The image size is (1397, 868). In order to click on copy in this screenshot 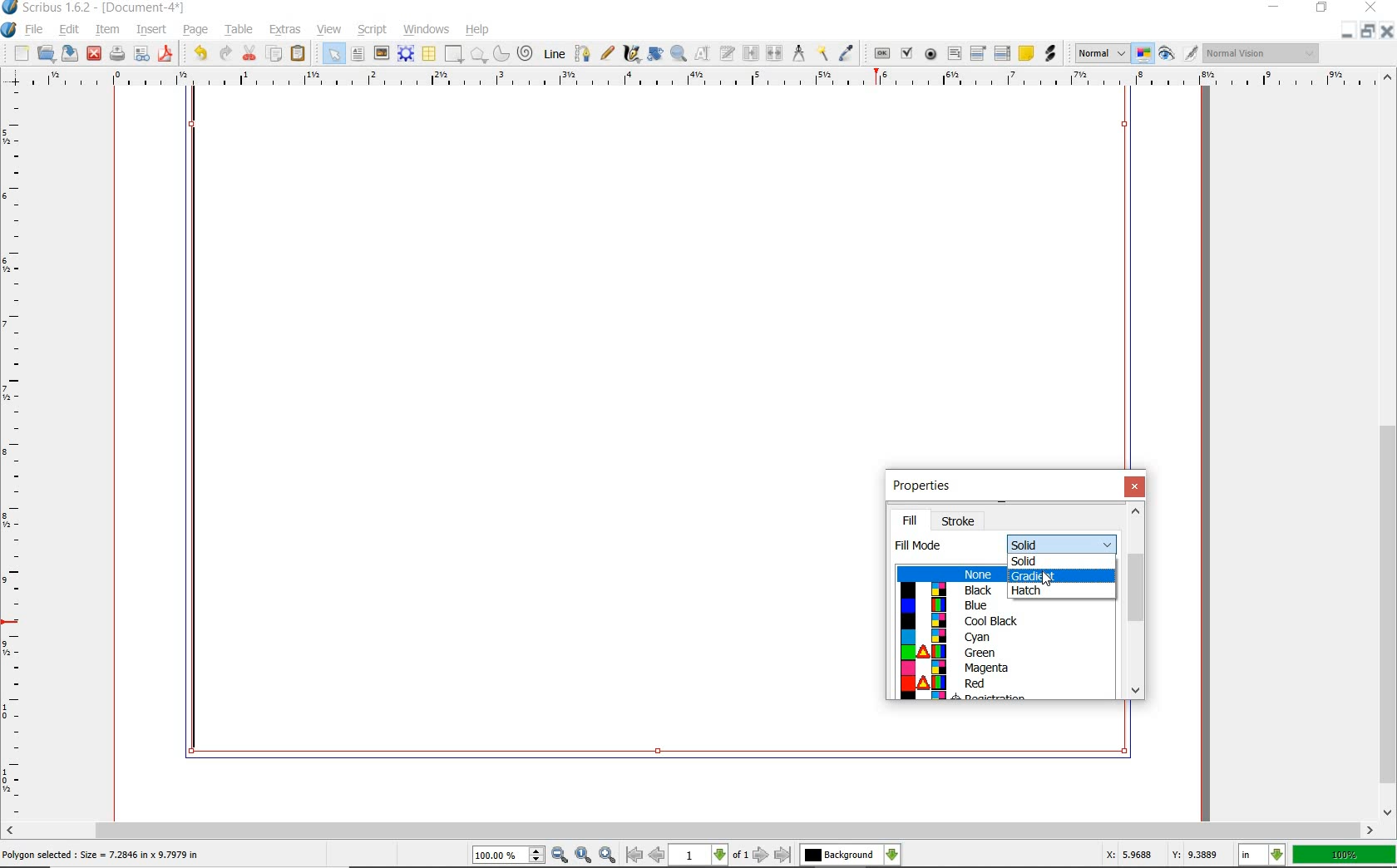, I will do `click(275, 54)`.